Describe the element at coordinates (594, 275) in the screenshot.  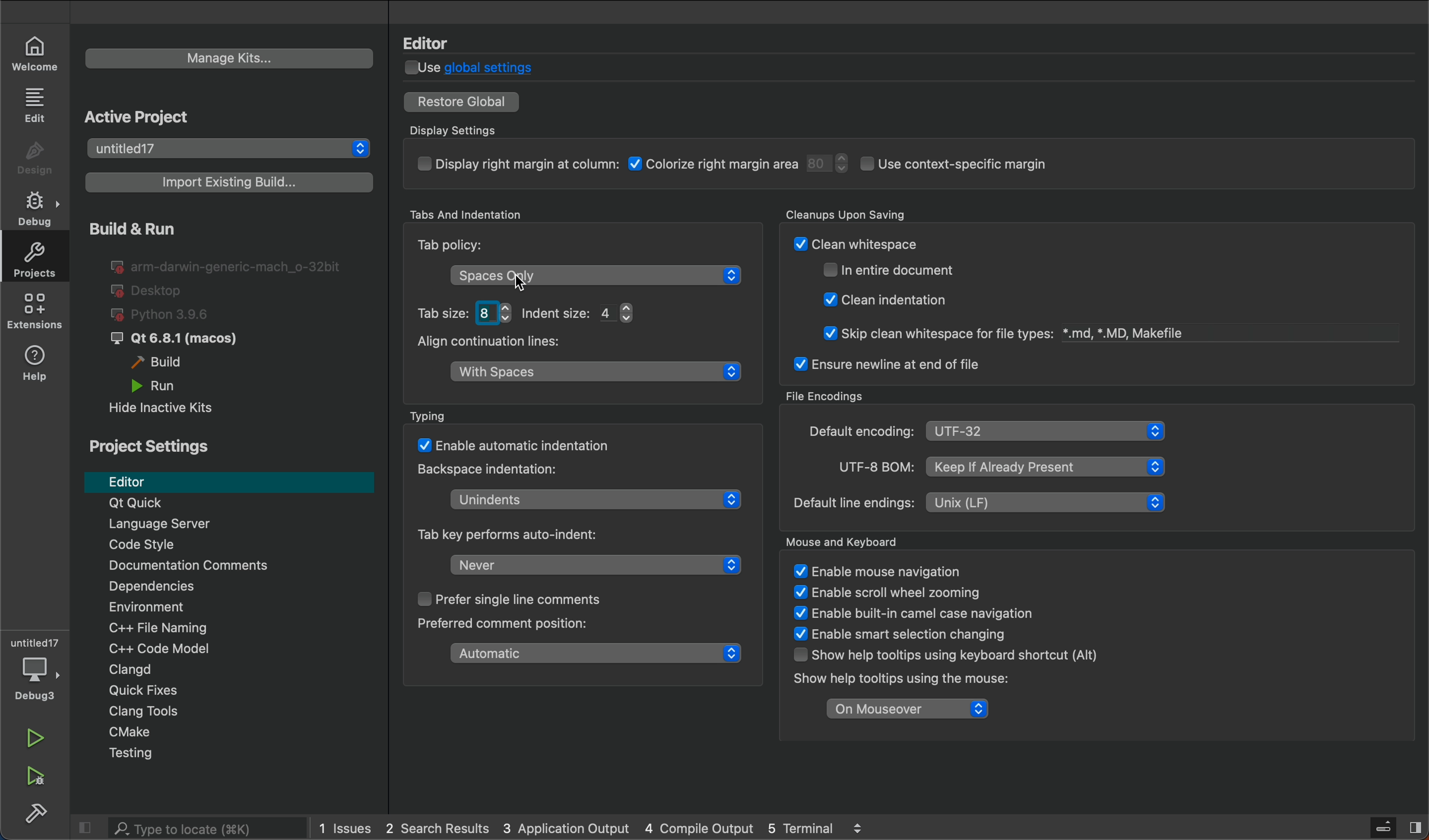
I see `tab policy` at that location.